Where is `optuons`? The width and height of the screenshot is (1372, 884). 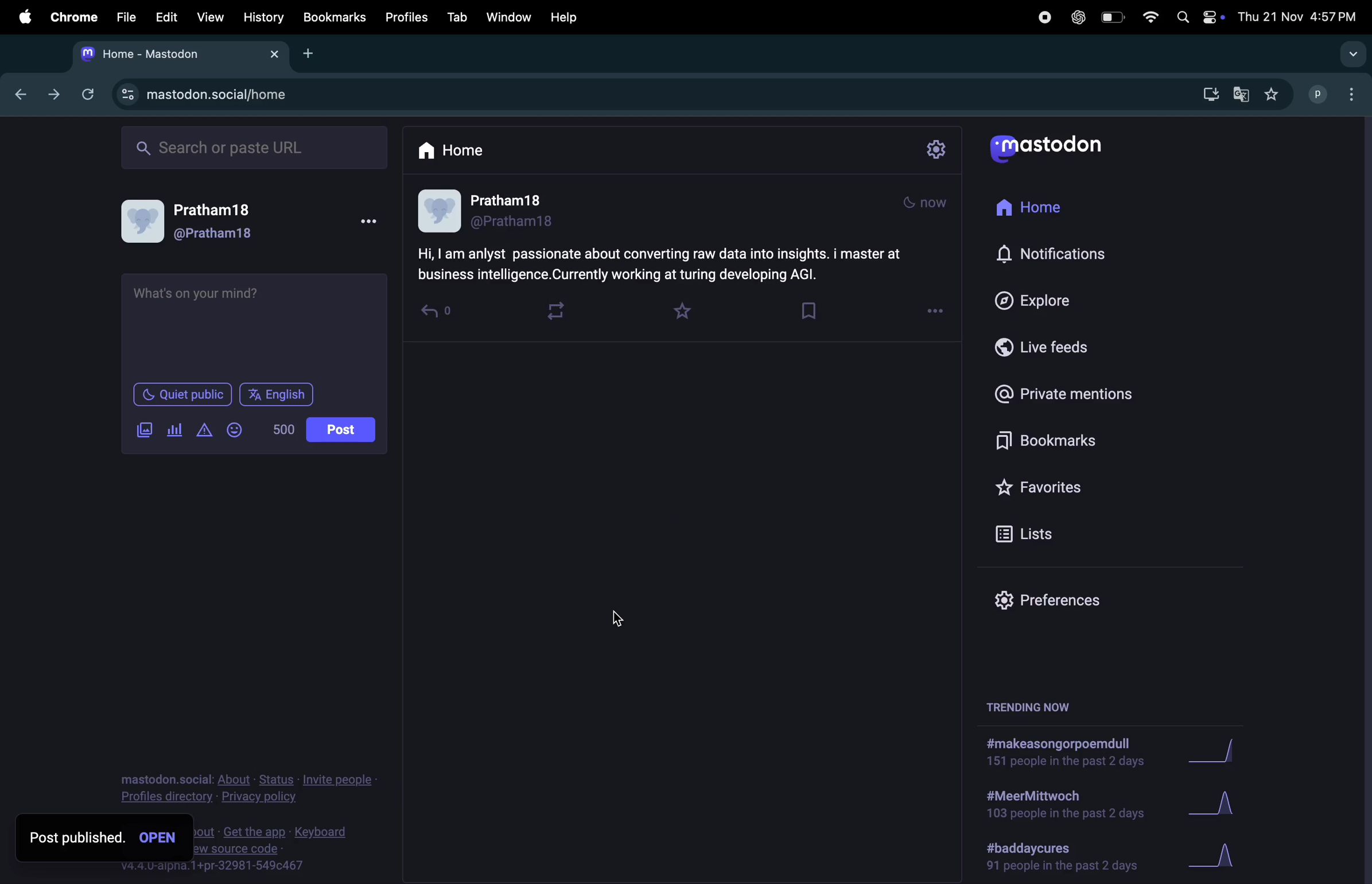 optuons is located at coordinates (1354, 93).